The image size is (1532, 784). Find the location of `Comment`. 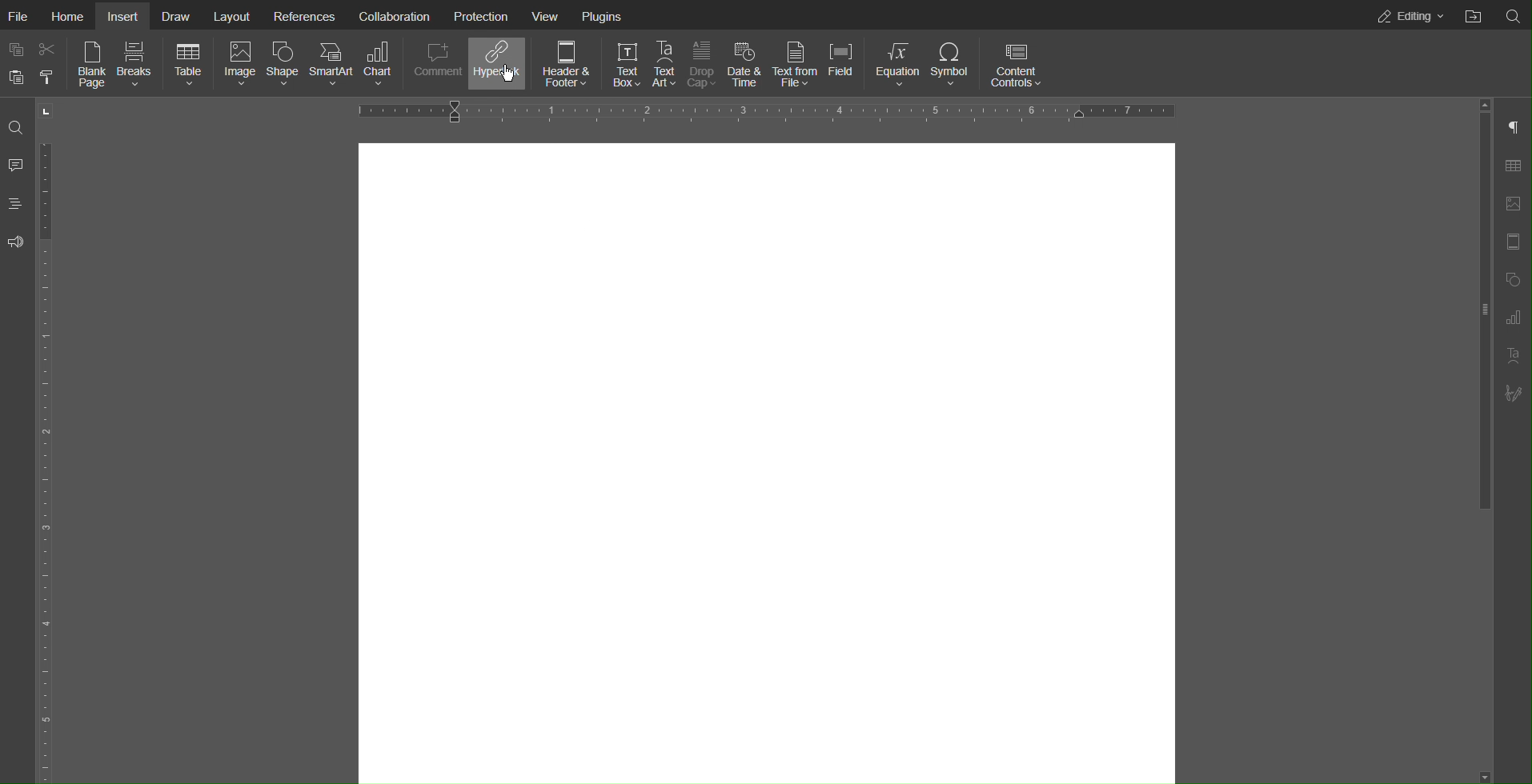

Comment is located at coordinates (435, 64).